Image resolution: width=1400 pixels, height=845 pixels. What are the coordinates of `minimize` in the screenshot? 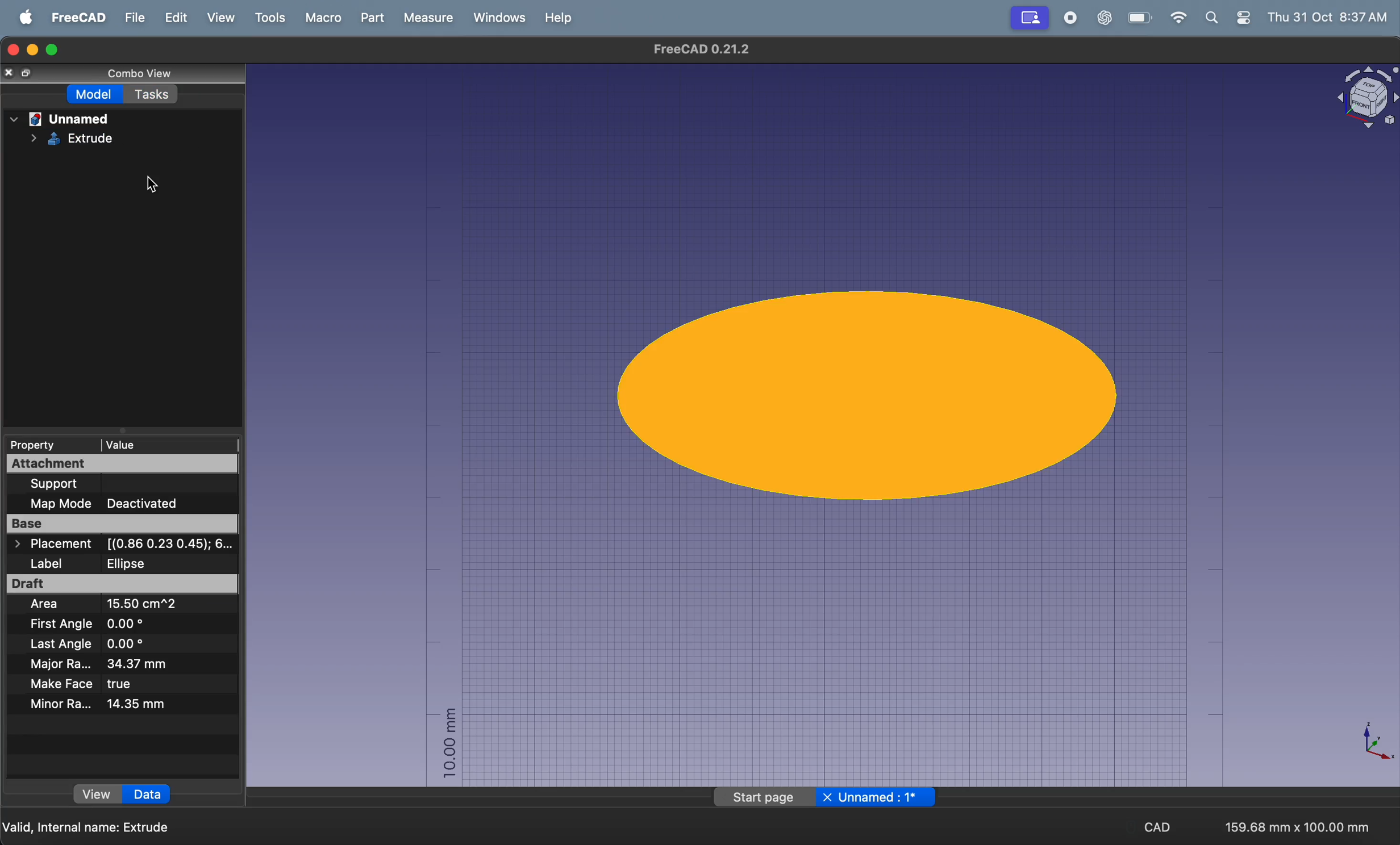 It's located at (35, 51).